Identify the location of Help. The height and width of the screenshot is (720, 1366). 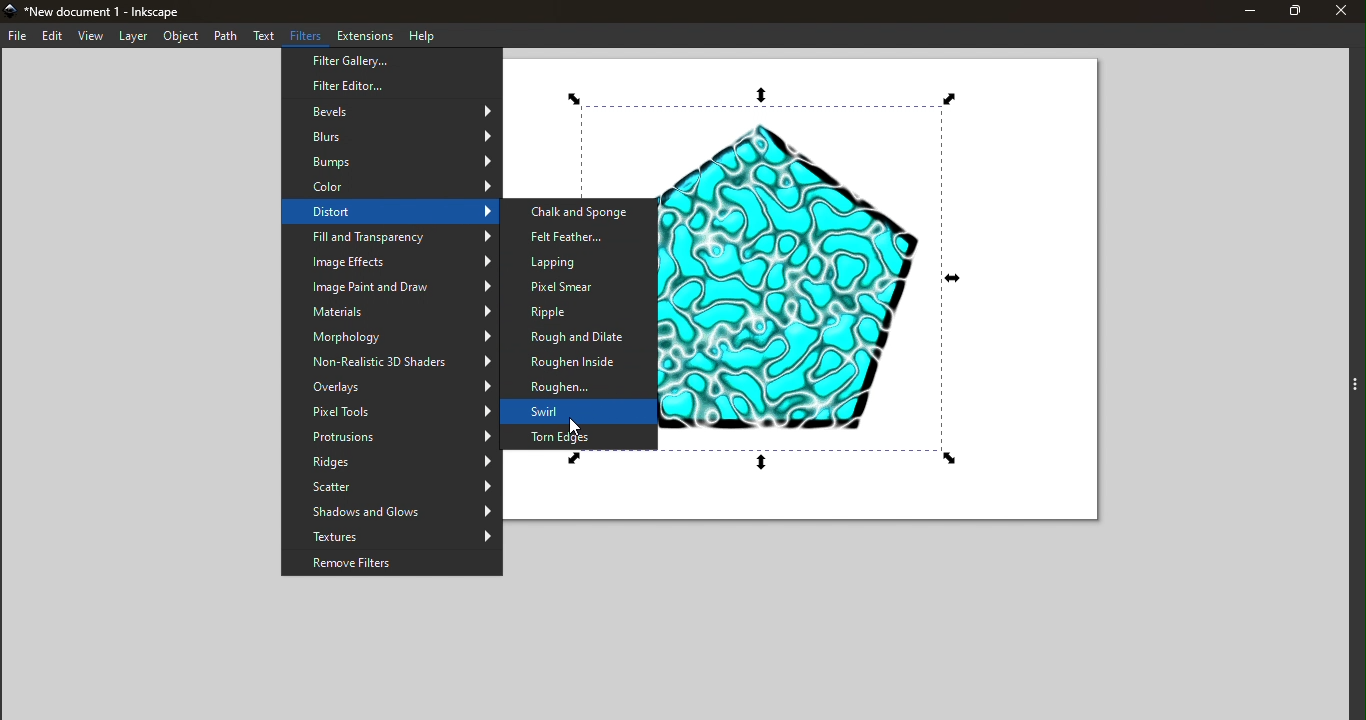
(428, 34).